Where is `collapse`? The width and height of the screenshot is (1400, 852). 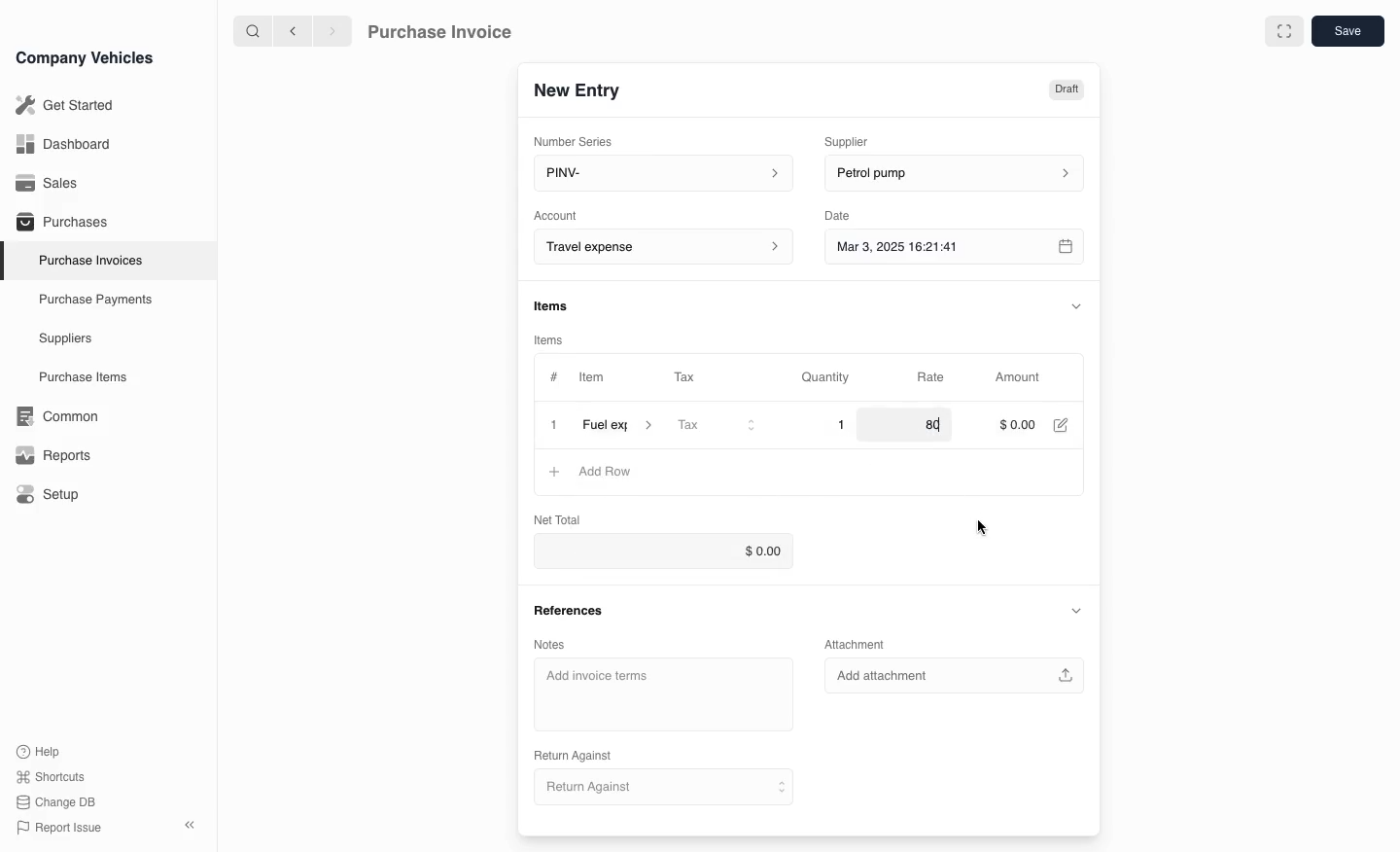
collapse is located at coordinates (1077, 304).